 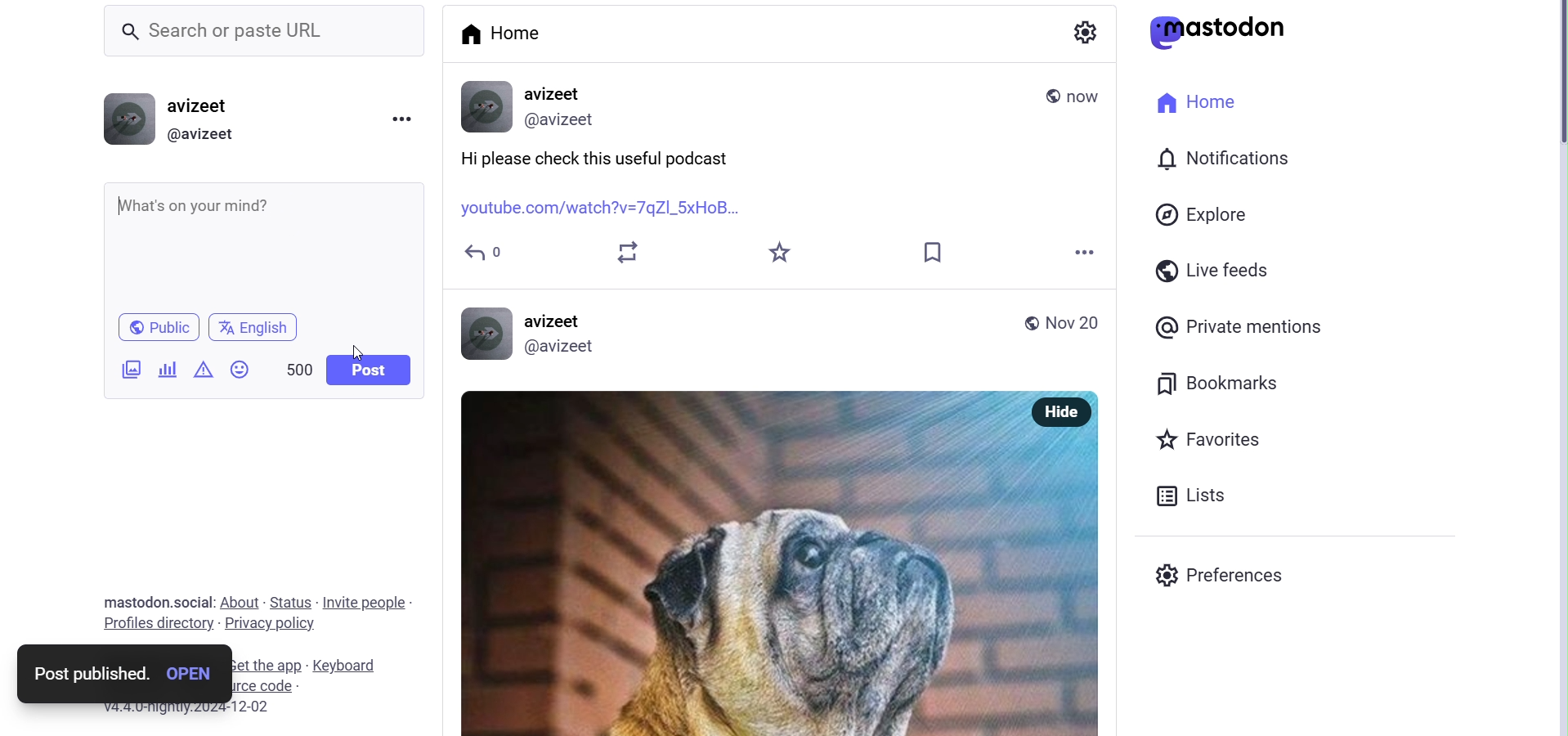 What do you see at coordinates (1062, 413) in the screenshot?
I see `hide` at bounding box center [1062, 413].